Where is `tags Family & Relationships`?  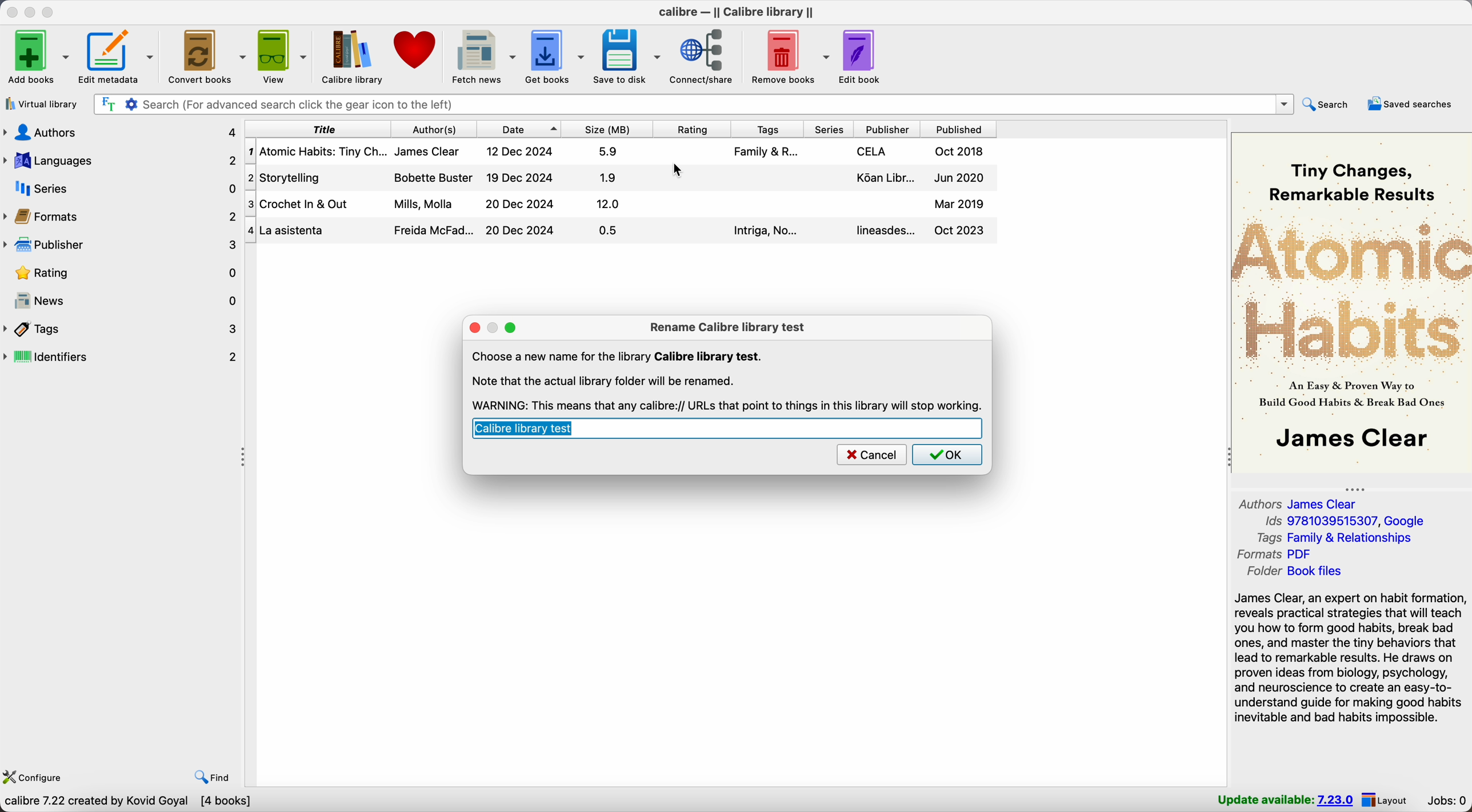 tags Family & Relationships is located at coordinates (1338, 539).